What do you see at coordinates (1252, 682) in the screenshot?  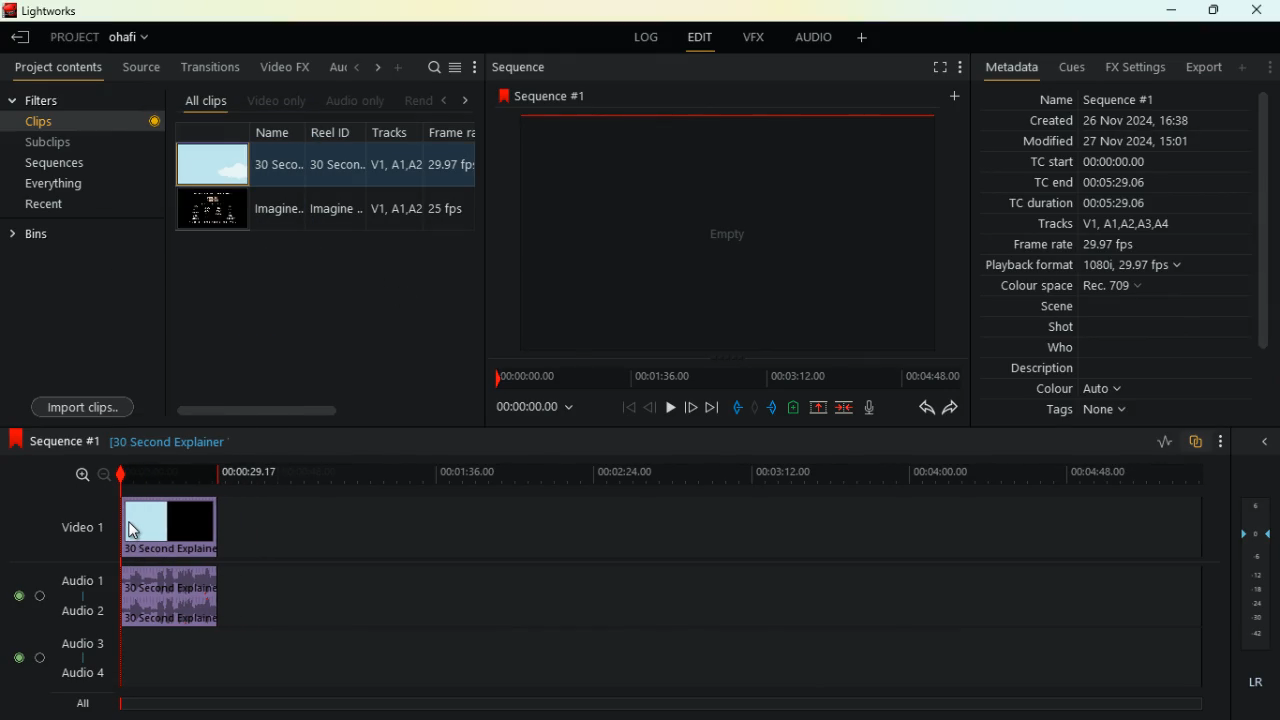 I see `lr` at bounding box center [1252, 682].